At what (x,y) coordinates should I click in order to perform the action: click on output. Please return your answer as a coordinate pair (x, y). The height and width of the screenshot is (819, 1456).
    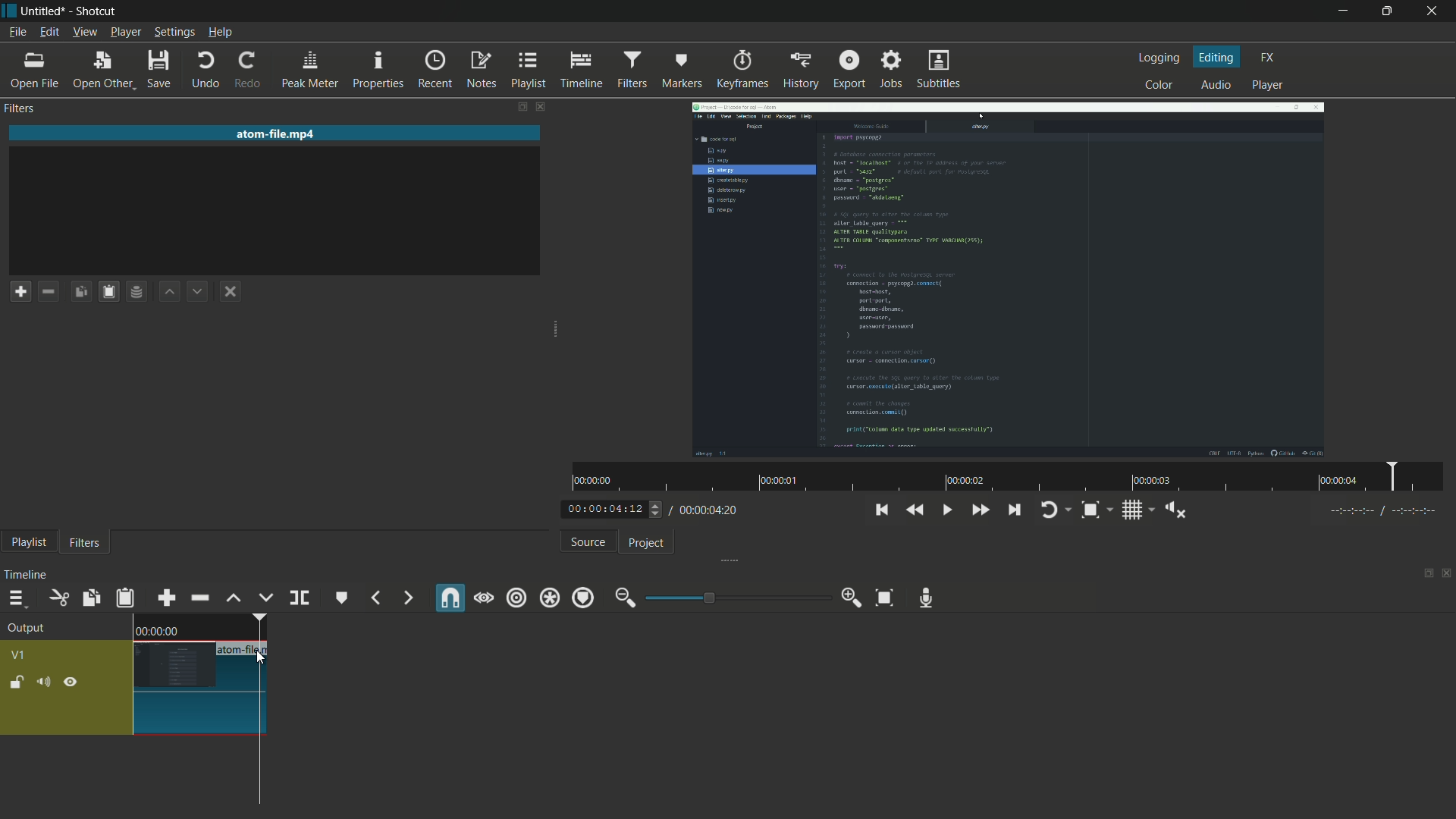
    Looking at the image, I should click on (27, 629).